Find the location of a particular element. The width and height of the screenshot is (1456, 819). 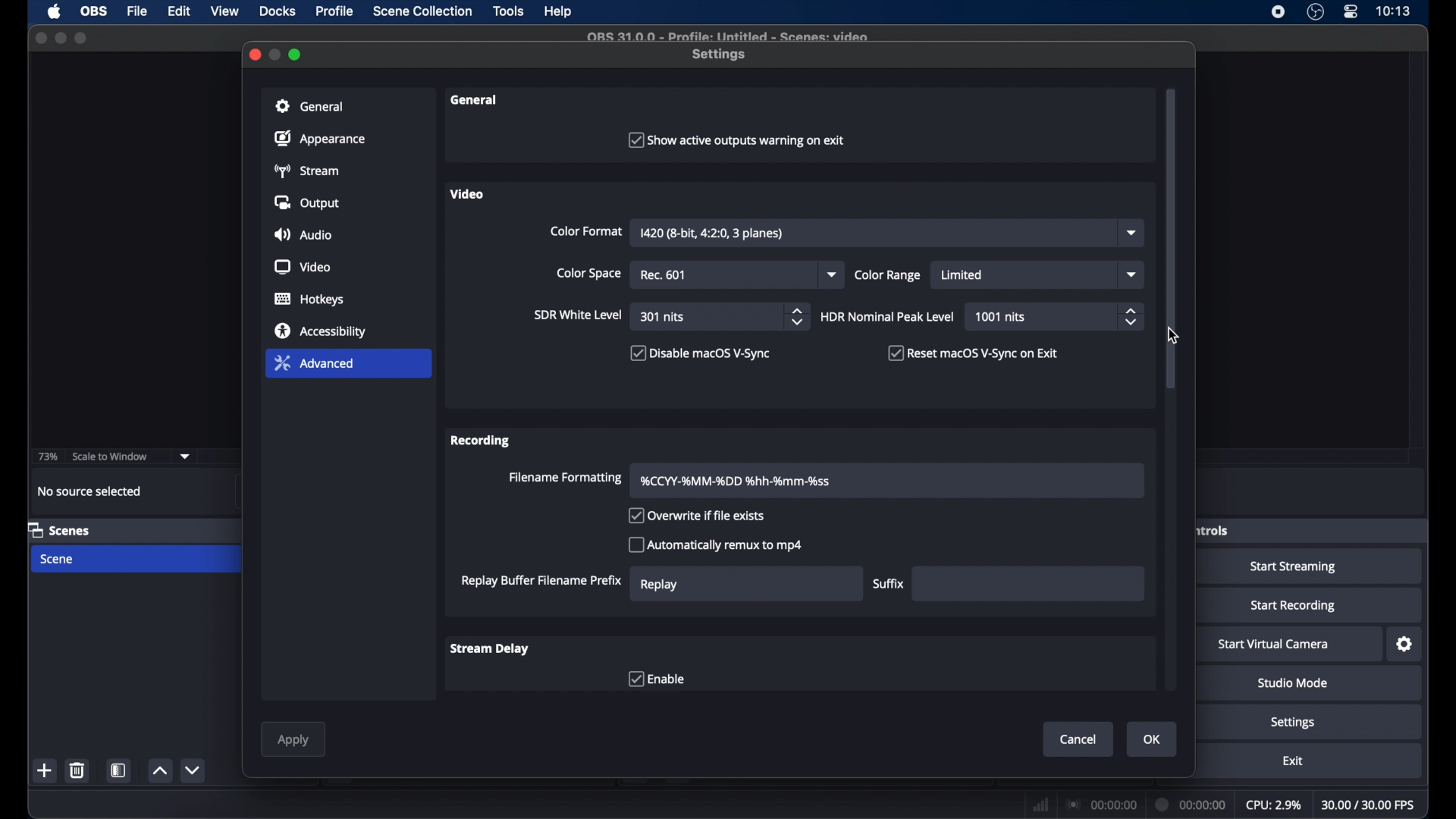

color range is located at coordinates (886, 276).